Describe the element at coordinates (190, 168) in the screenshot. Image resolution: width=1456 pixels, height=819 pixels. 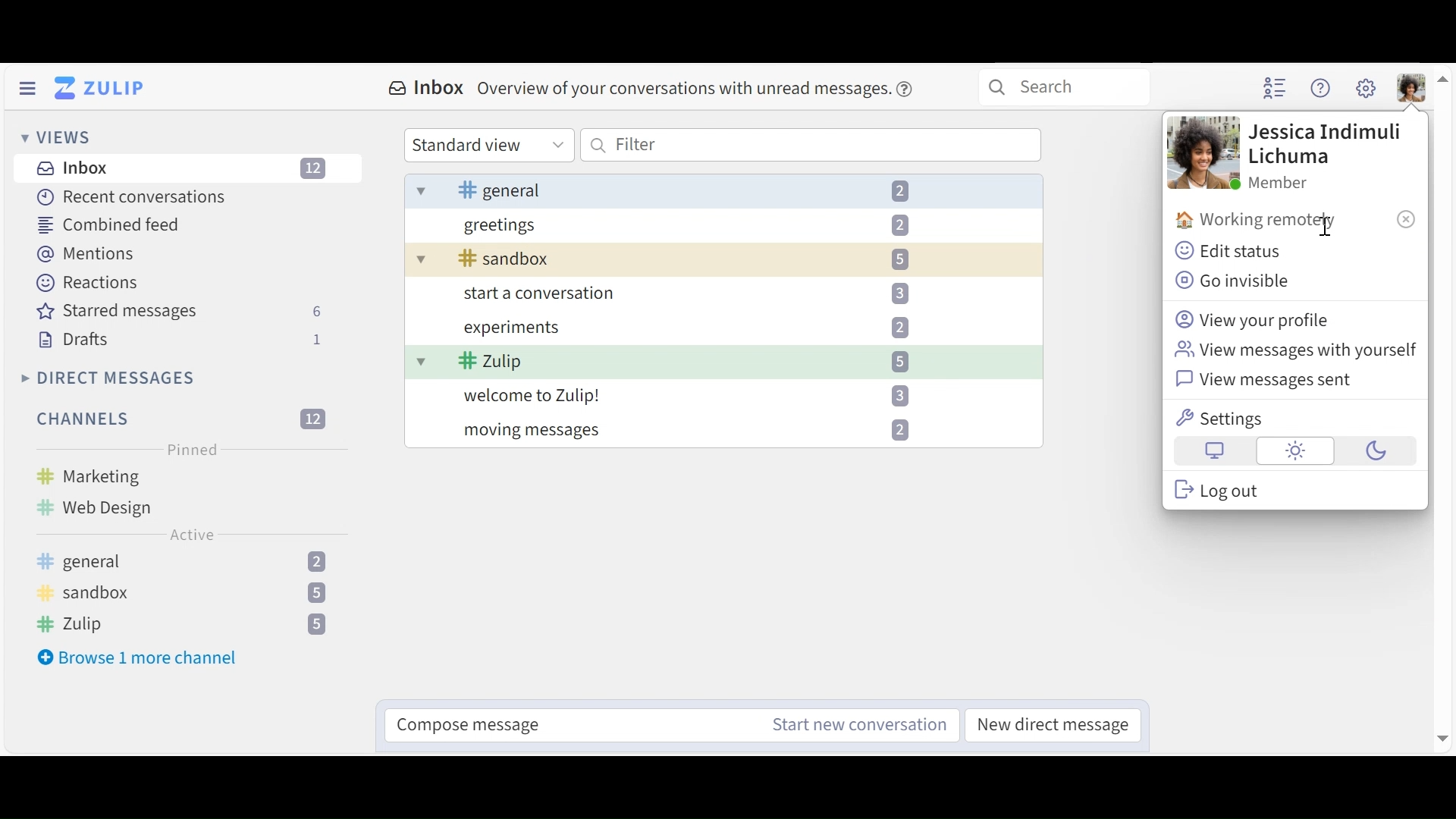
I see `Inbox` at that location.